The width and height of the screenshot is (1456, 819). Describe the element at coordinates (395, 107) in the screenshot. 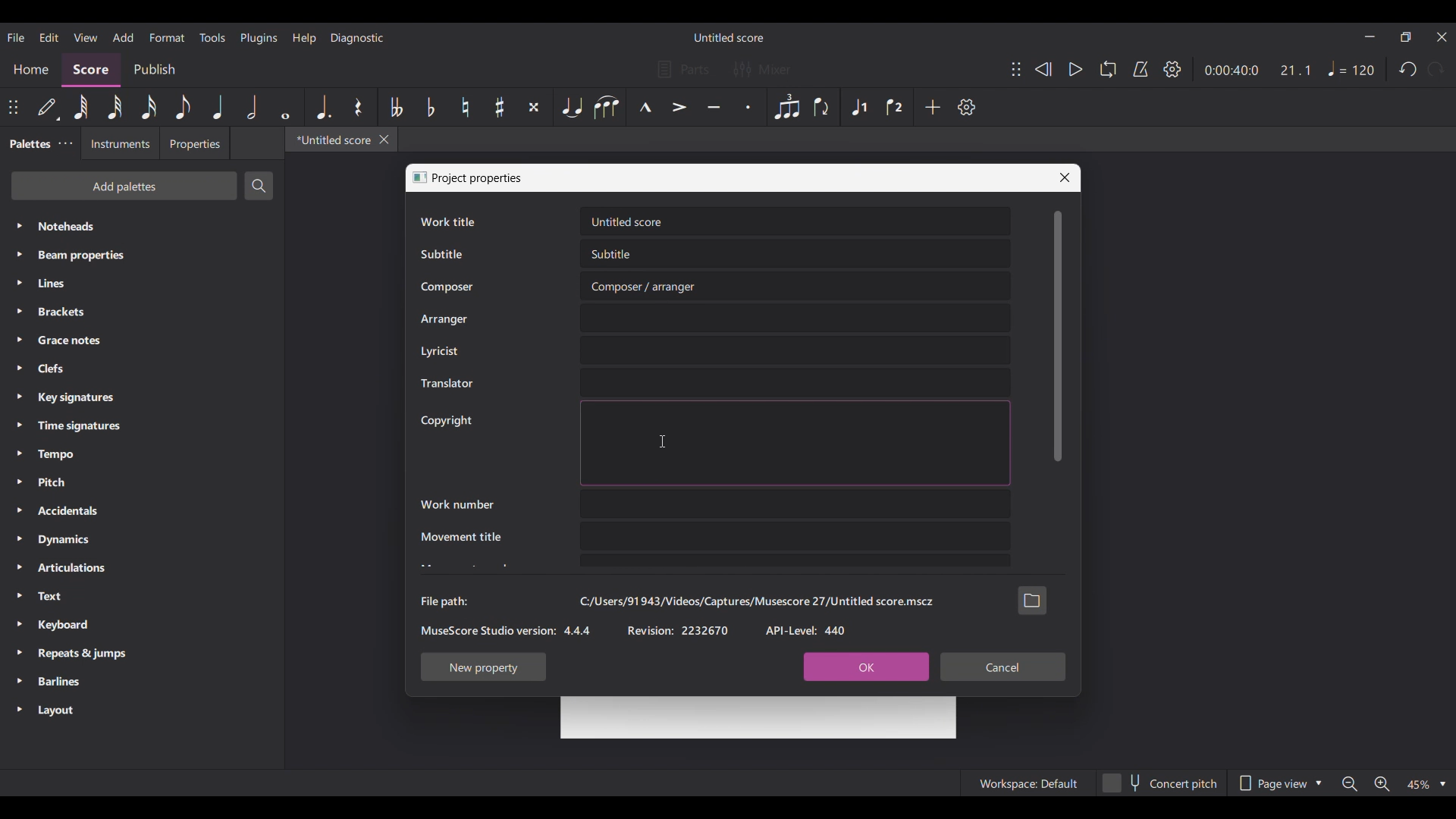

I see `Toggle double flat` at that location.